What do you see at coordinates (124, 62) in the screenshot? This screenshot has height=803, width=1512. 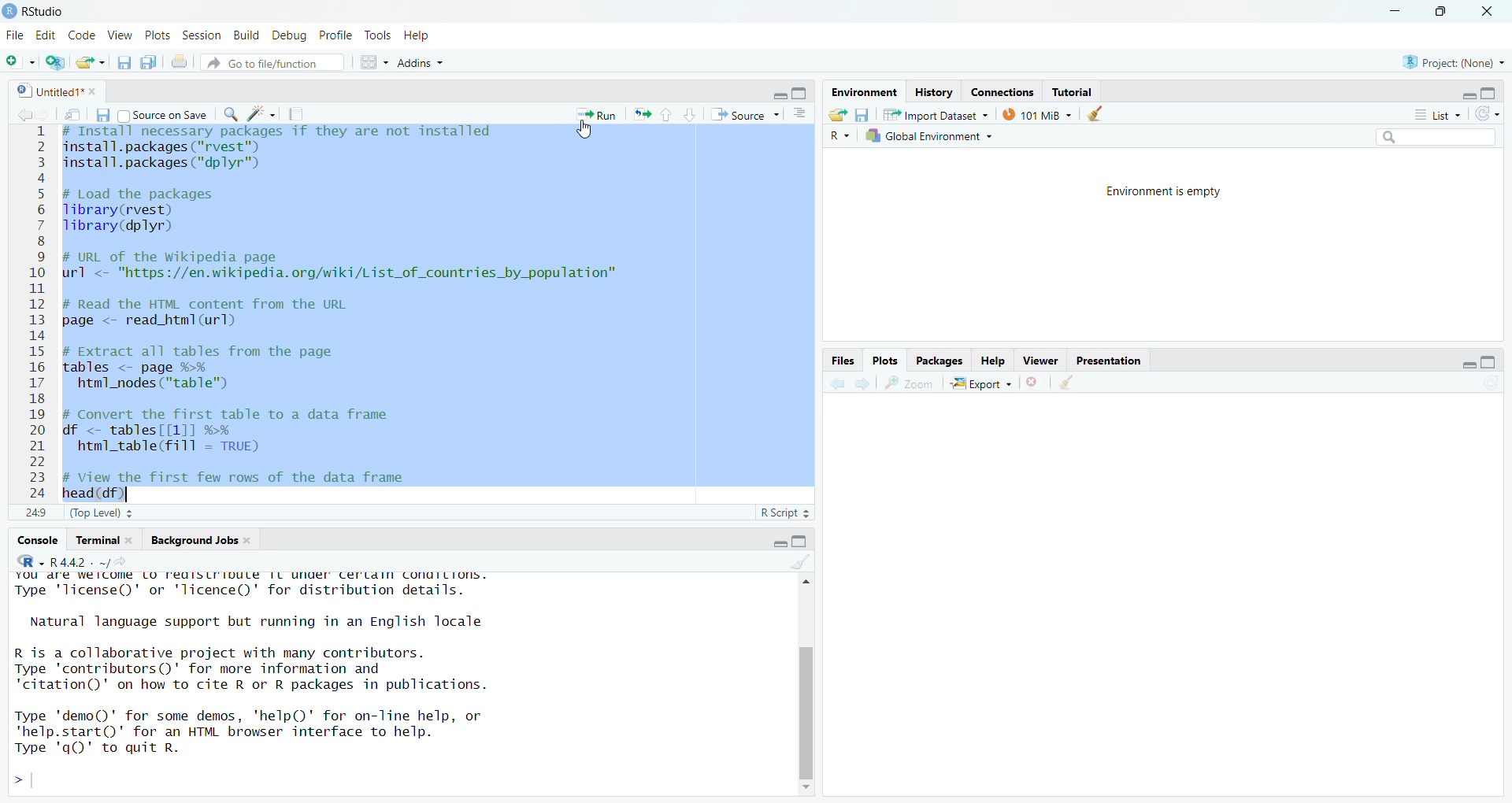 I see `save` at bounding box center [124, 62].